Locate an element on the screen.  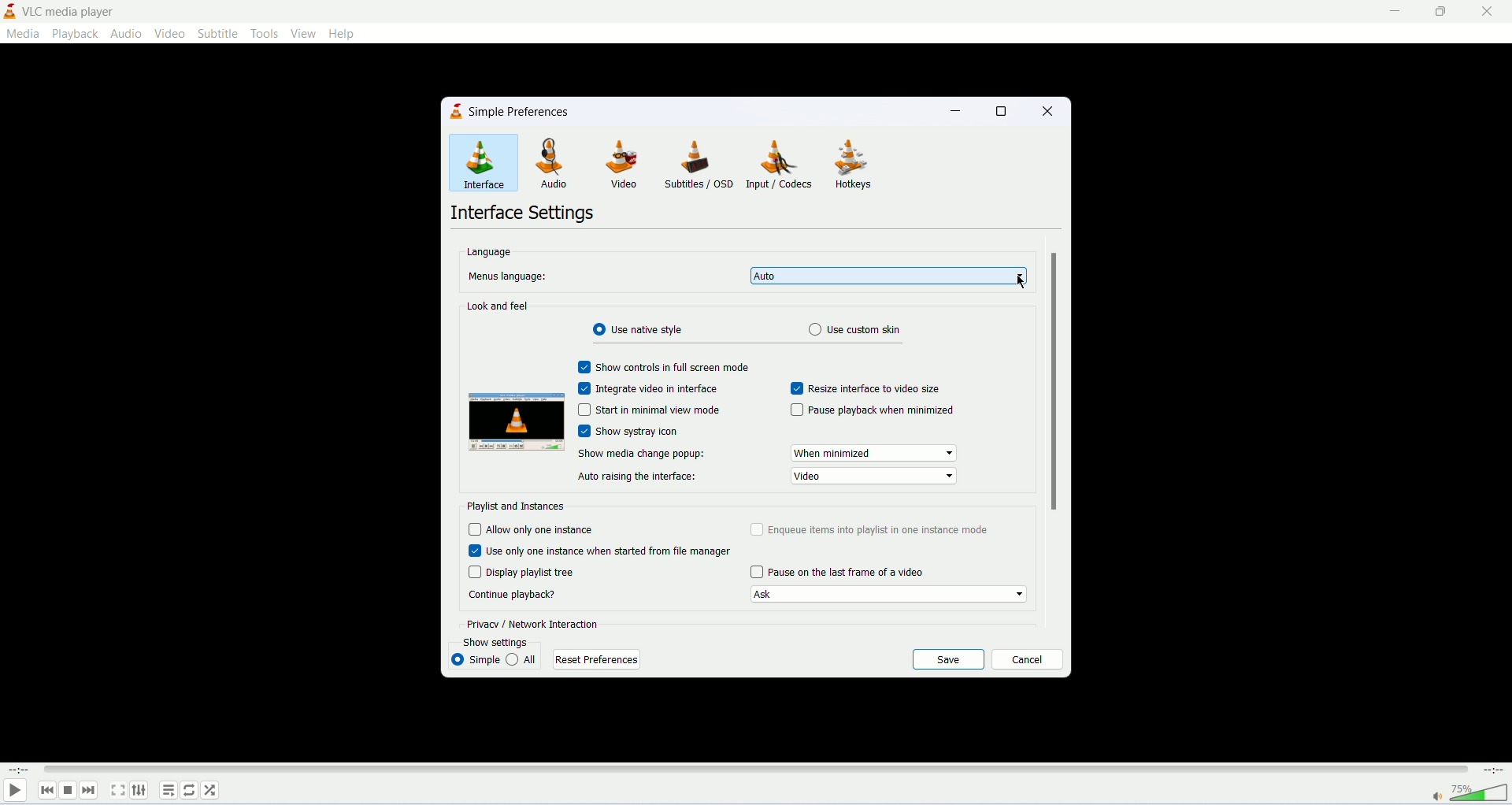
application icon is located at coordinates (9, 12).